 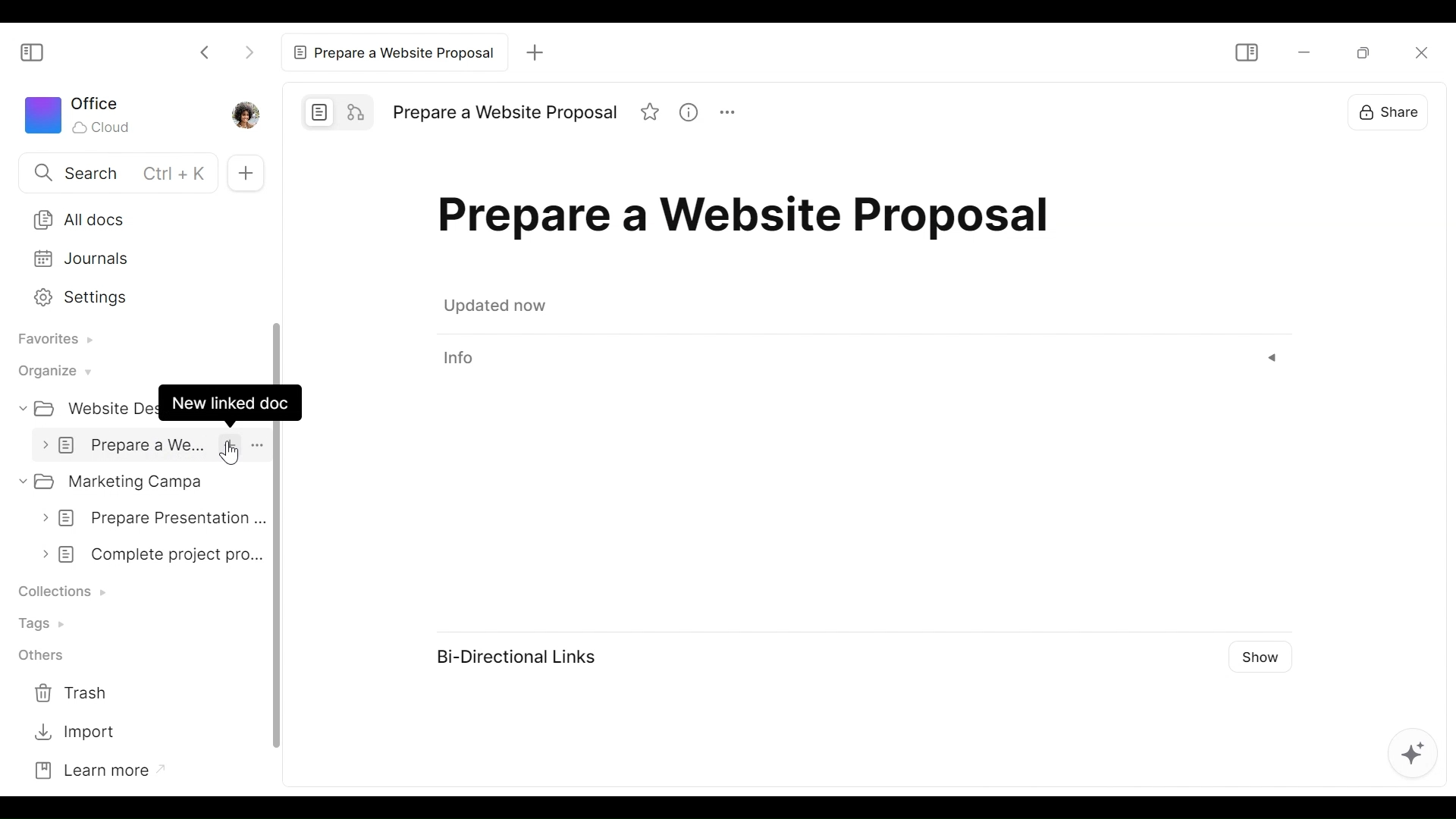 What do you see at coordinates (71, 733) in the screenshot?
I see `Import` at bounding box center [71, 733].